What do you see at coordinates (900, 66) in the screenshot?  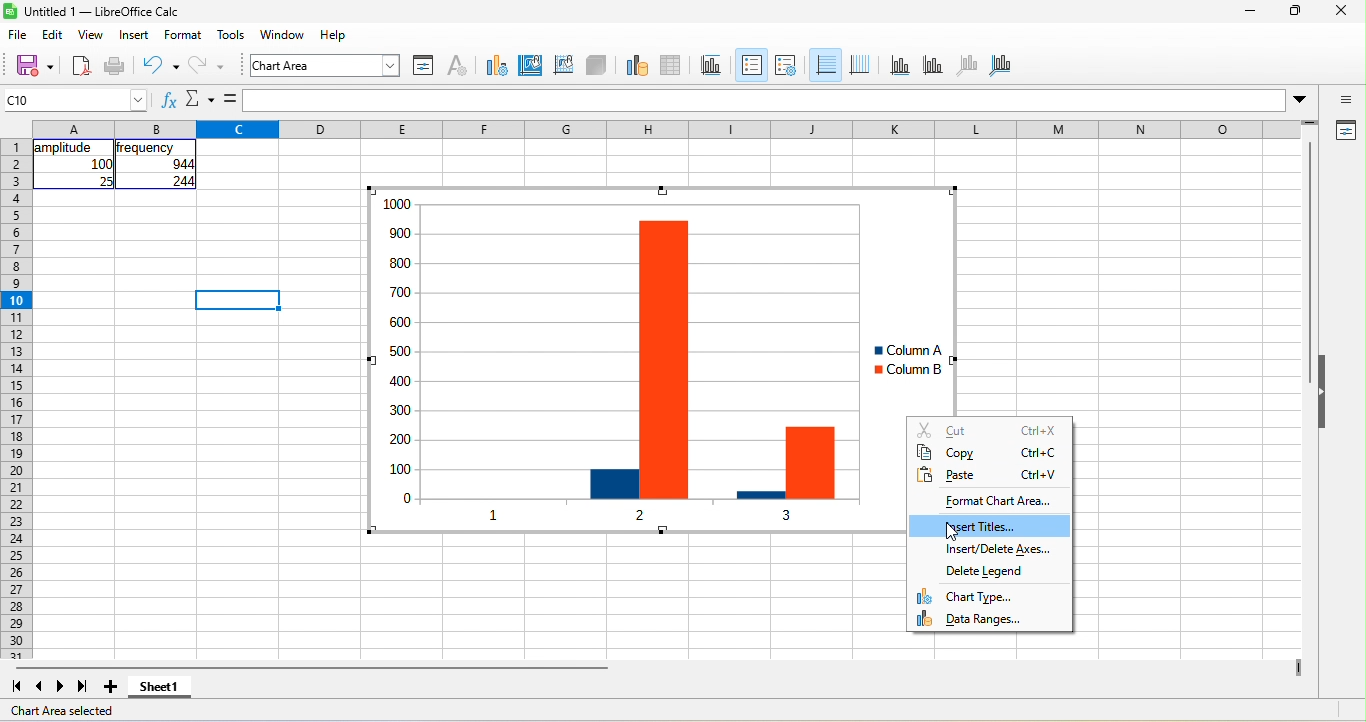 I see `x axis` at bounding box center [900, 66].